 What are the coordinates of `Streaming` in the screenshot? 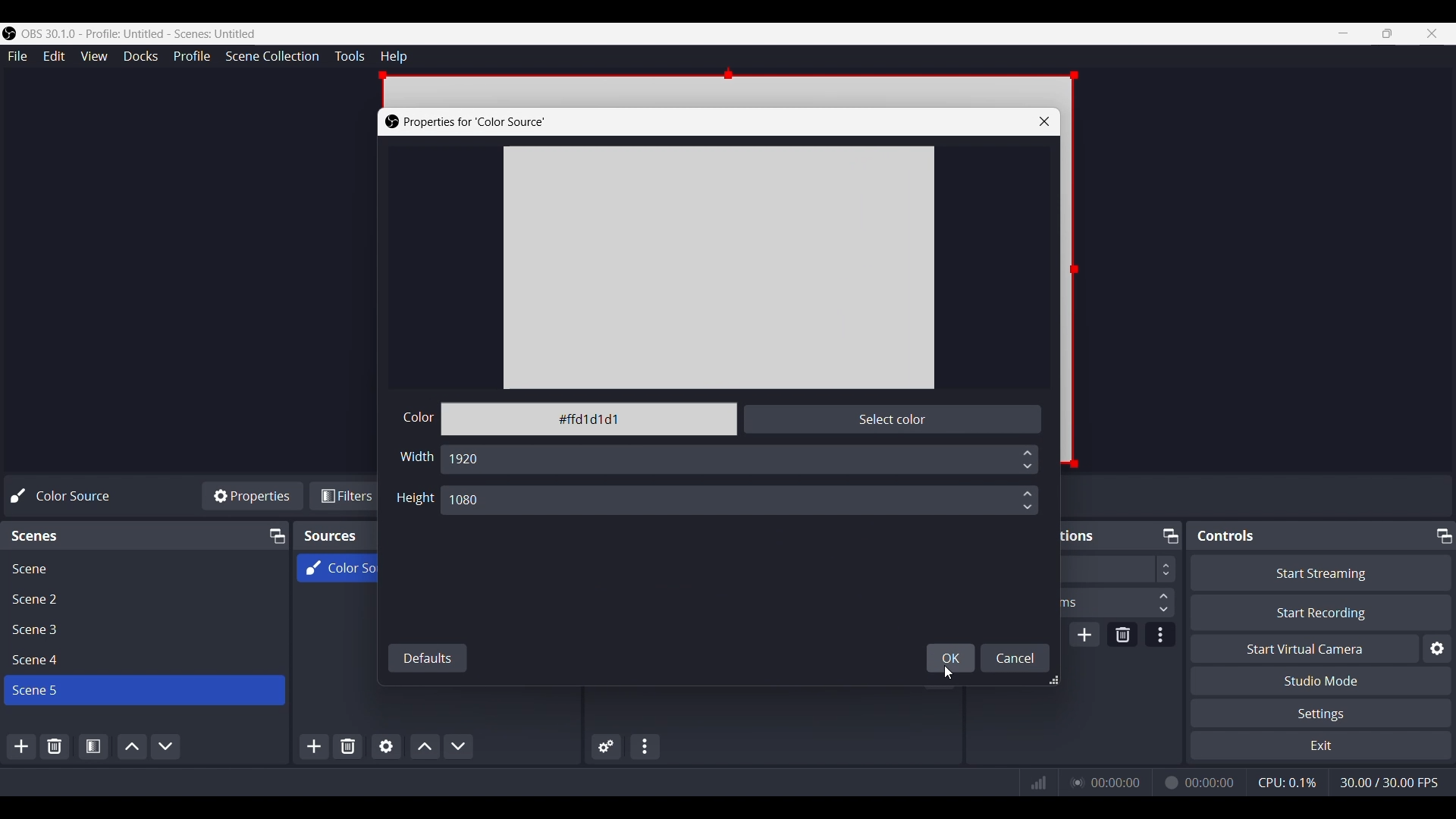 It's located at (1075, 783).